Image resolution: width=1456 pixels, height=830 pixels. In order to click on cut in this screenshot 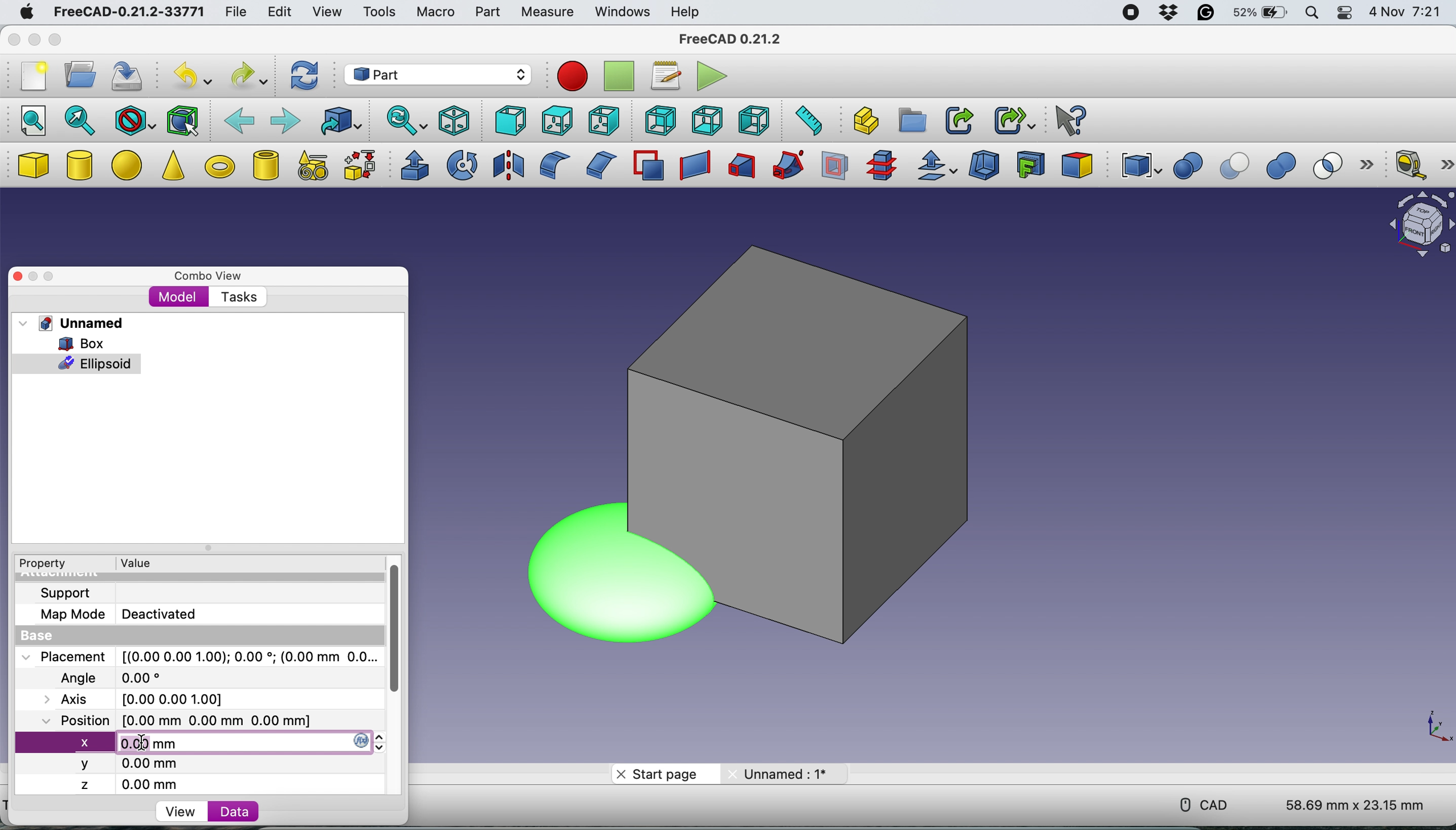, I will do `click(1237, 166)`.